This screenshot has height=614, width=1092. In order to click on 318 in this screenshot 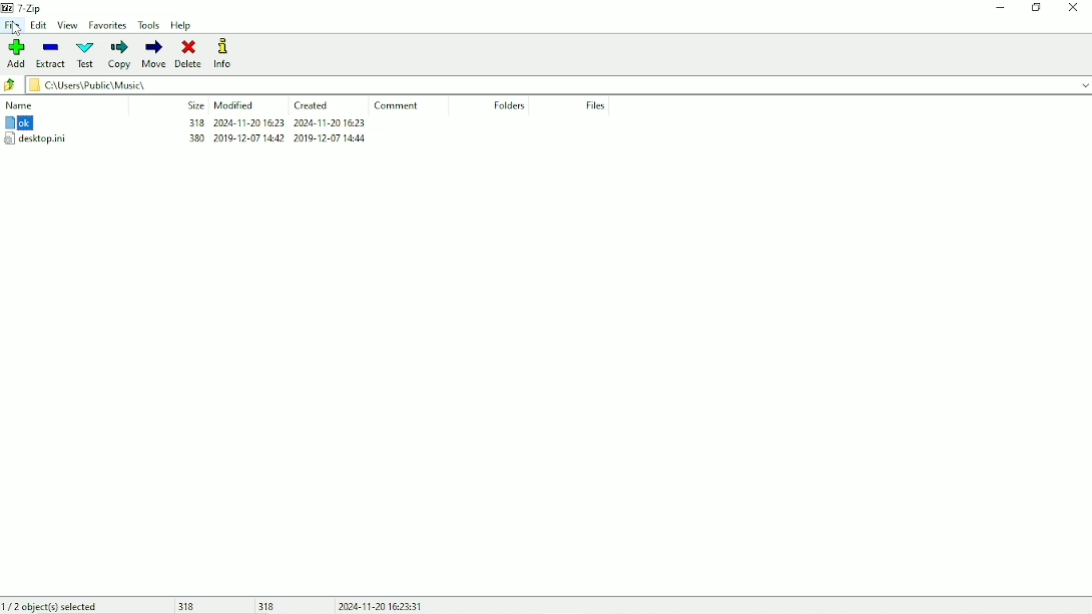, I will do `click(188, 605)`.